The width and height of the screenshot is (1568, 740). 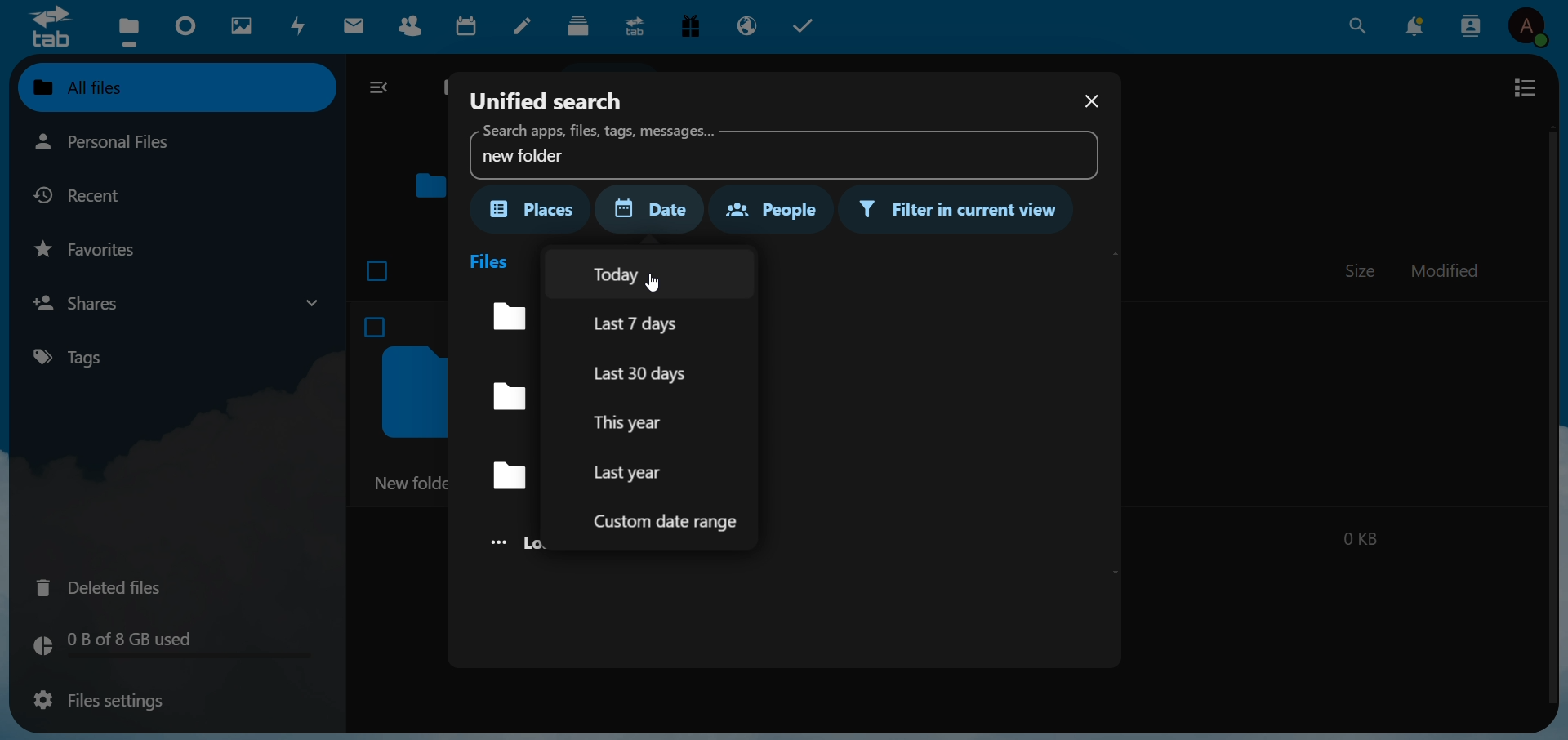 What do you see at coordinates (768, 207) in the screenshot?
I see `people` at bounding box center [768, 207].